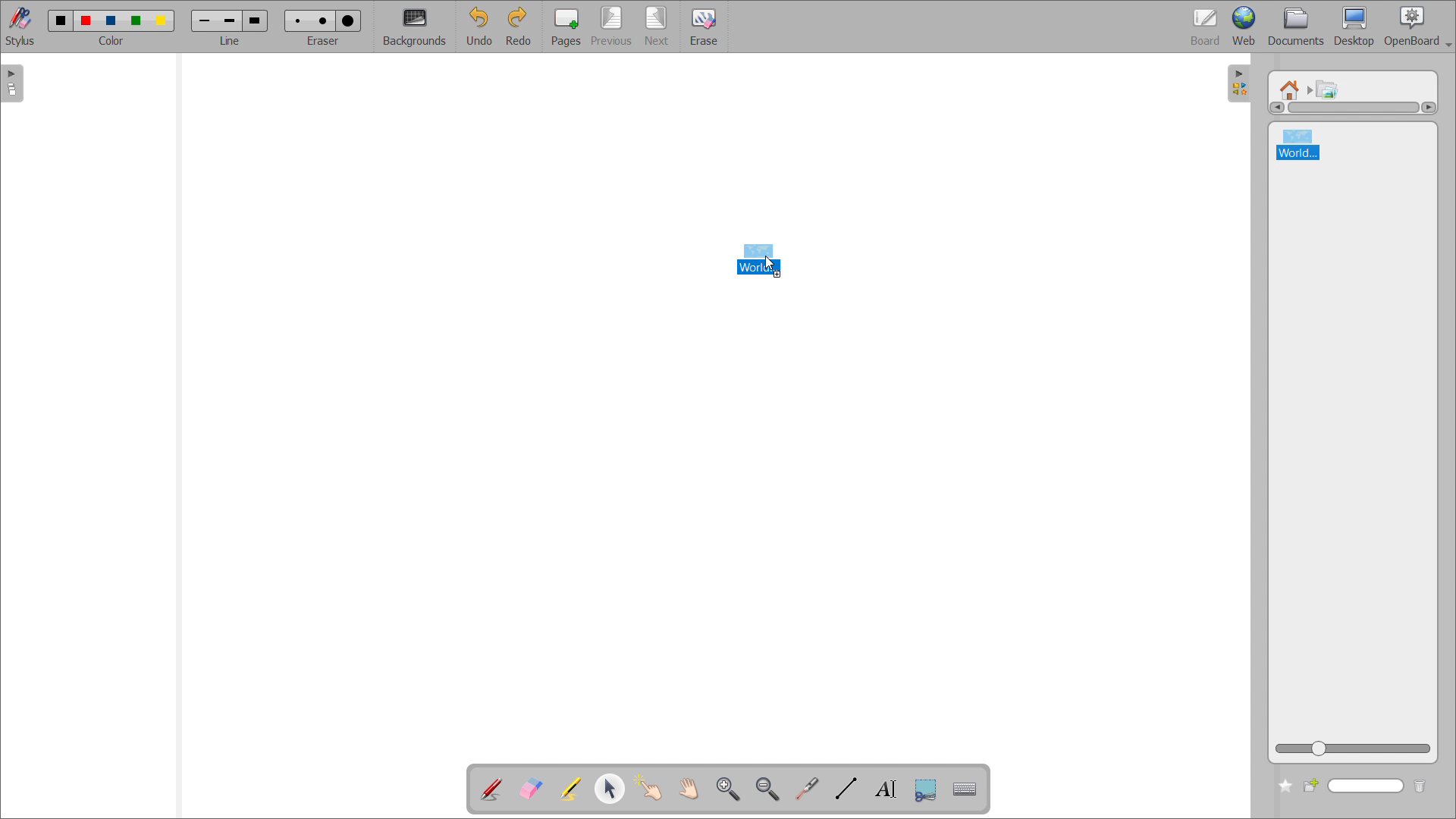 The height and width of the screenshot is (819, 1456). I want to click on select color, so click(111, 27).